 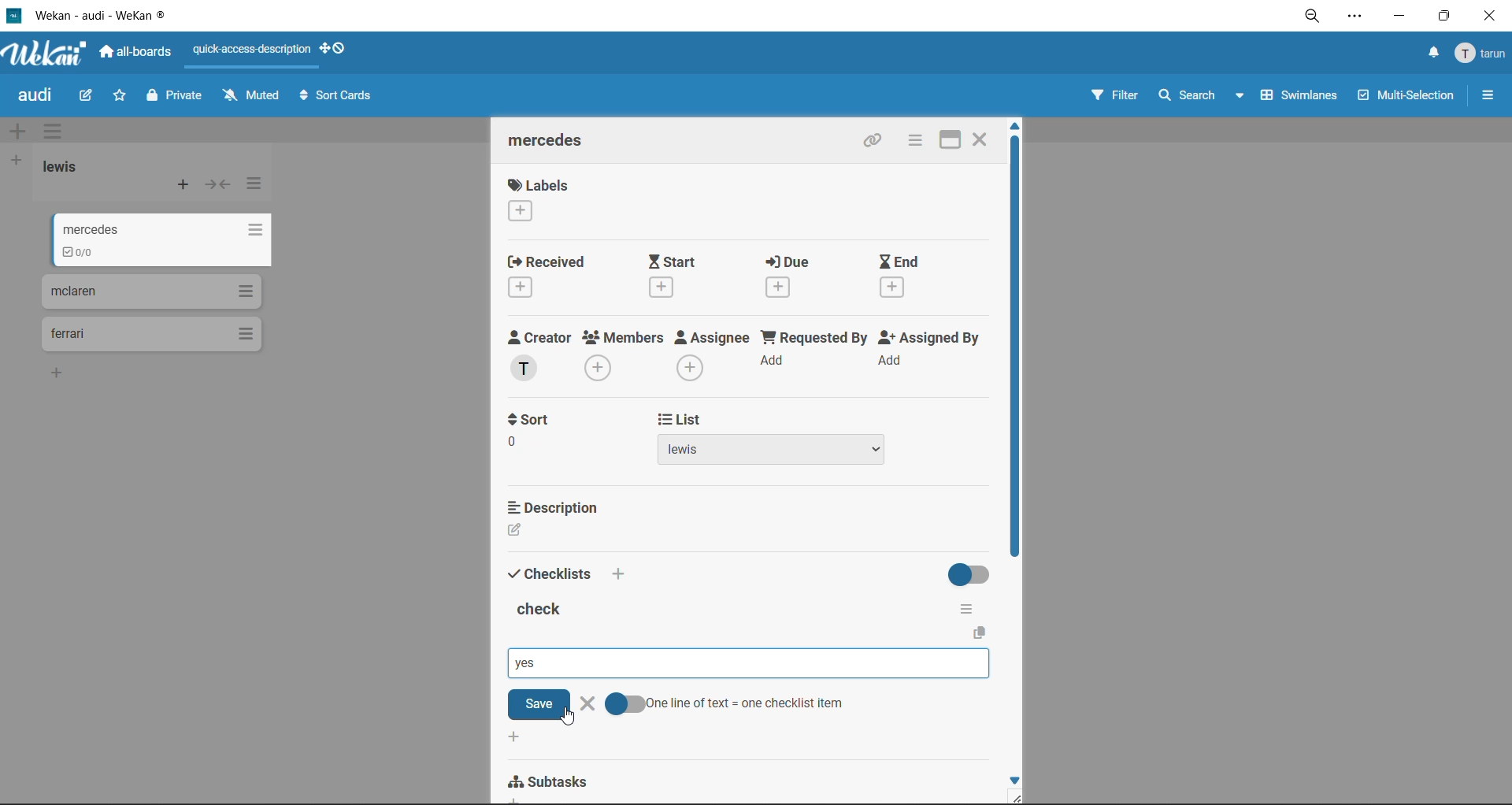 What do you see at coordinates (1429, 53) in the screenshot?
I see `notifications` at bounding box center [1429, 53].